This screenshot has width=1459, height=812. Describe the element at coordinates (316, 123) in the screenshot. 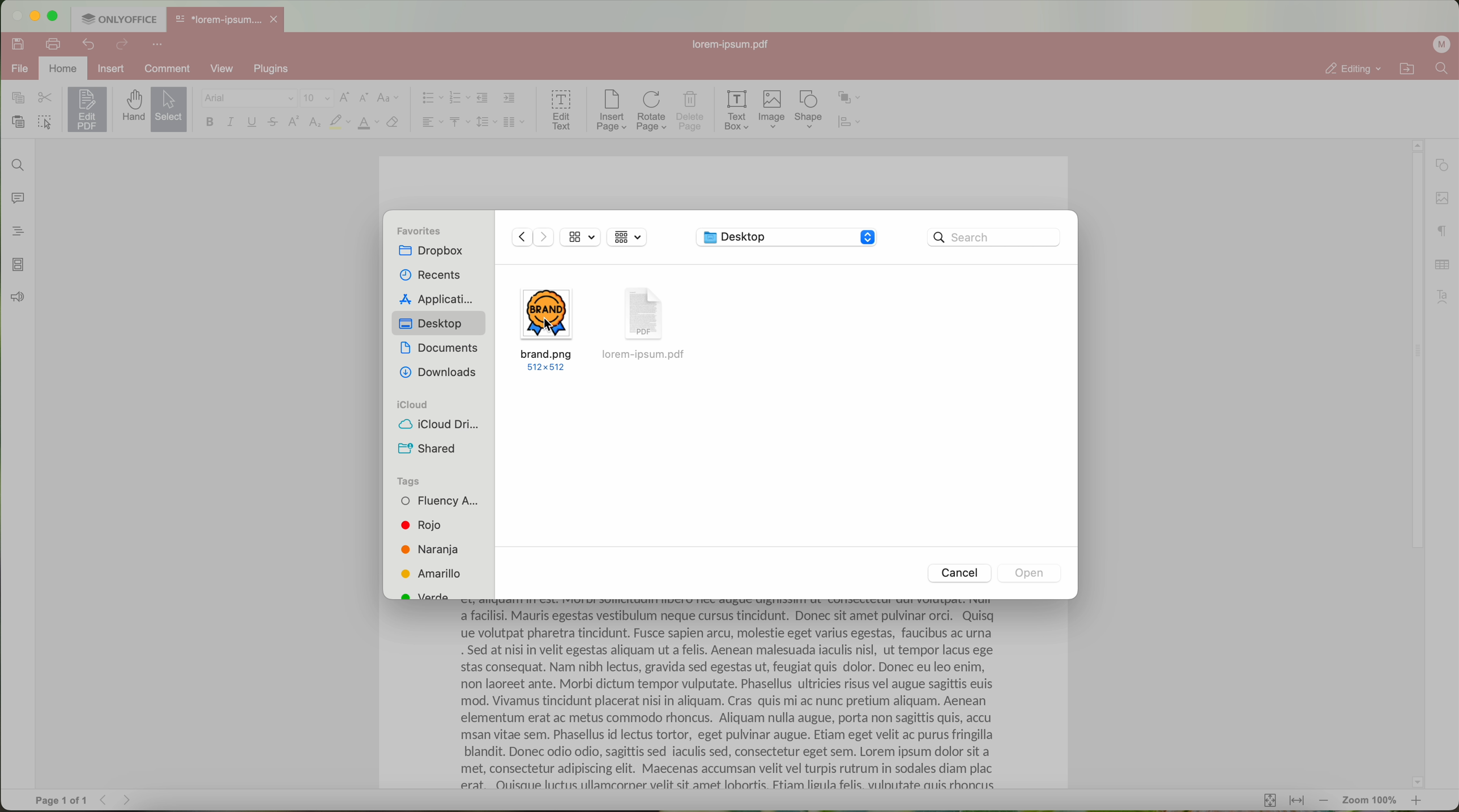

I see `subscript` at that location.